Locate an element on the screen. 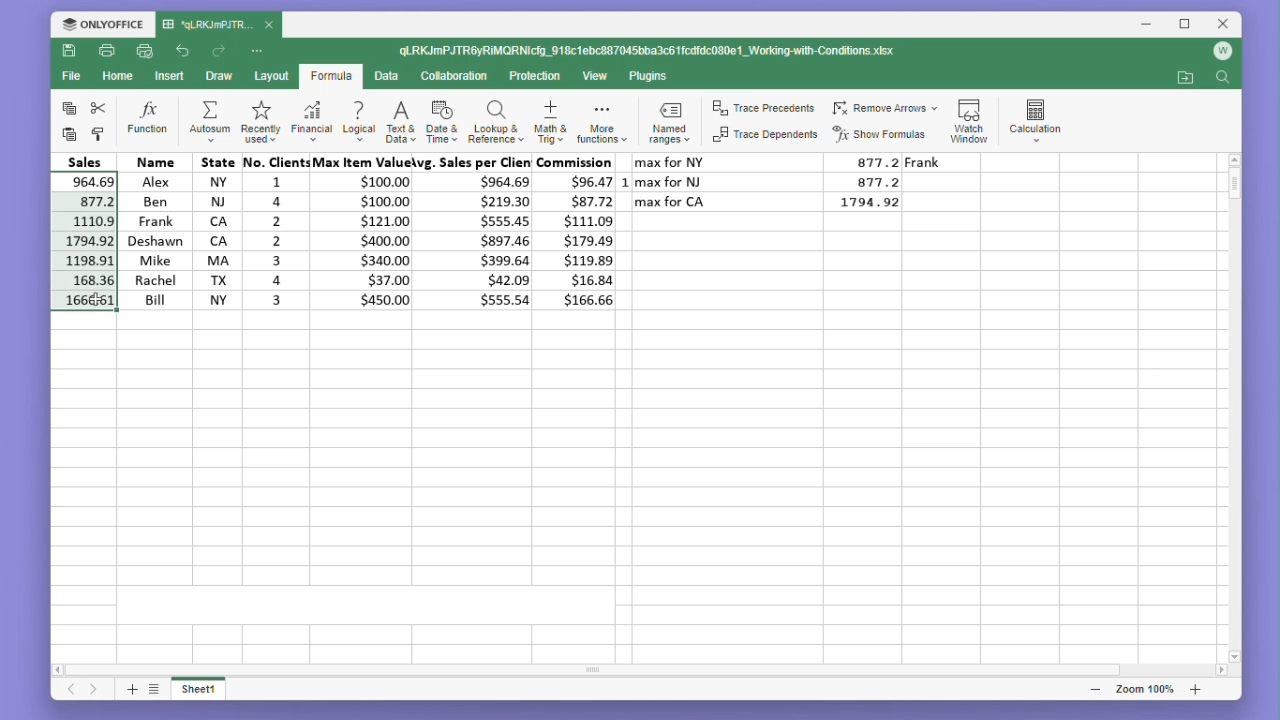 The image size is (1280, 720). sales is located at coordinates (88, 160).